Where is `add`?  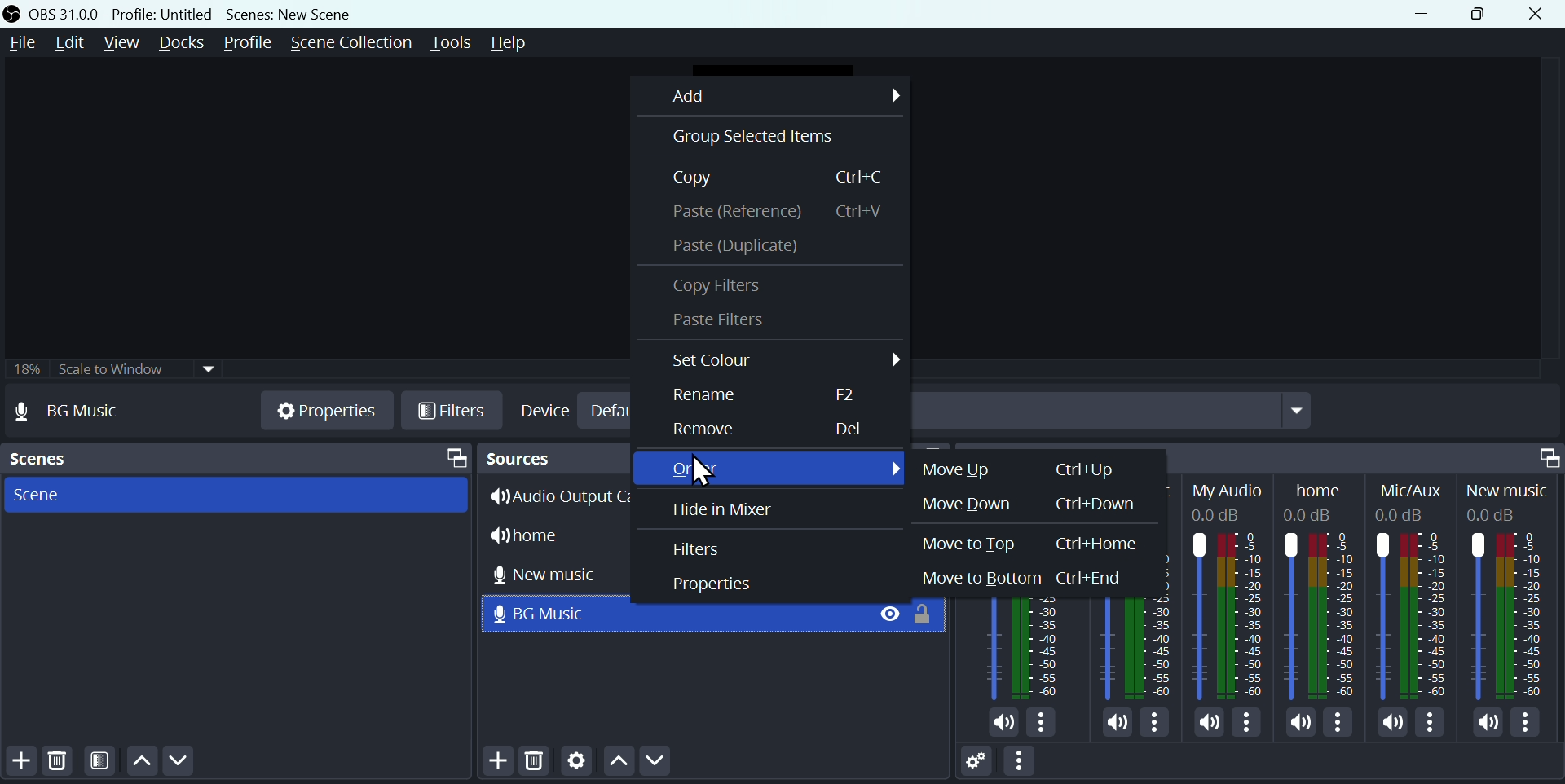
add is located at coordinates (782, 95).